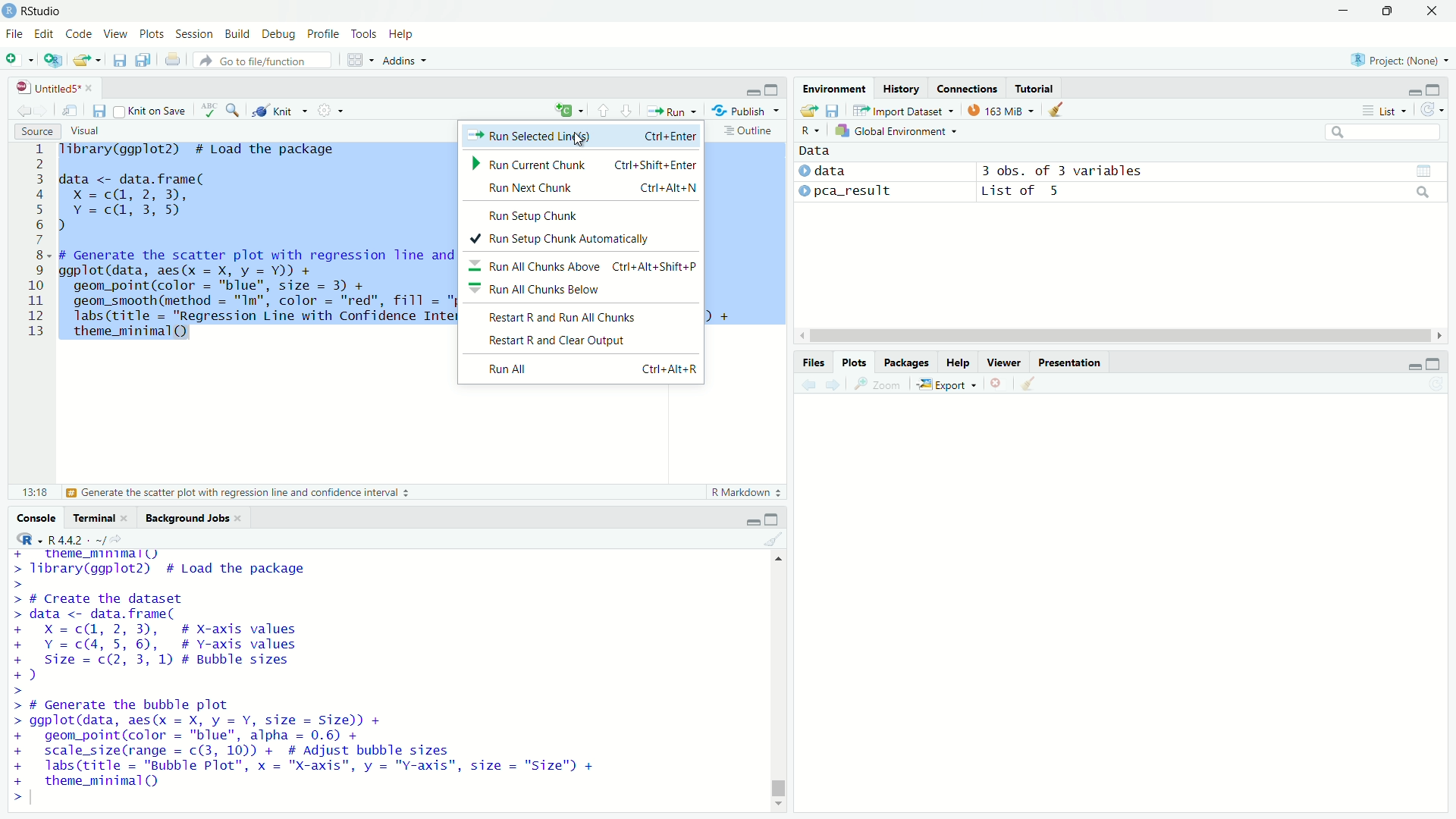 The height and width of the screenshot is (819, 1456). What do you see at coordinates (93, 88) in the screenshot?
I see `close` at bounding box center [93, 88].